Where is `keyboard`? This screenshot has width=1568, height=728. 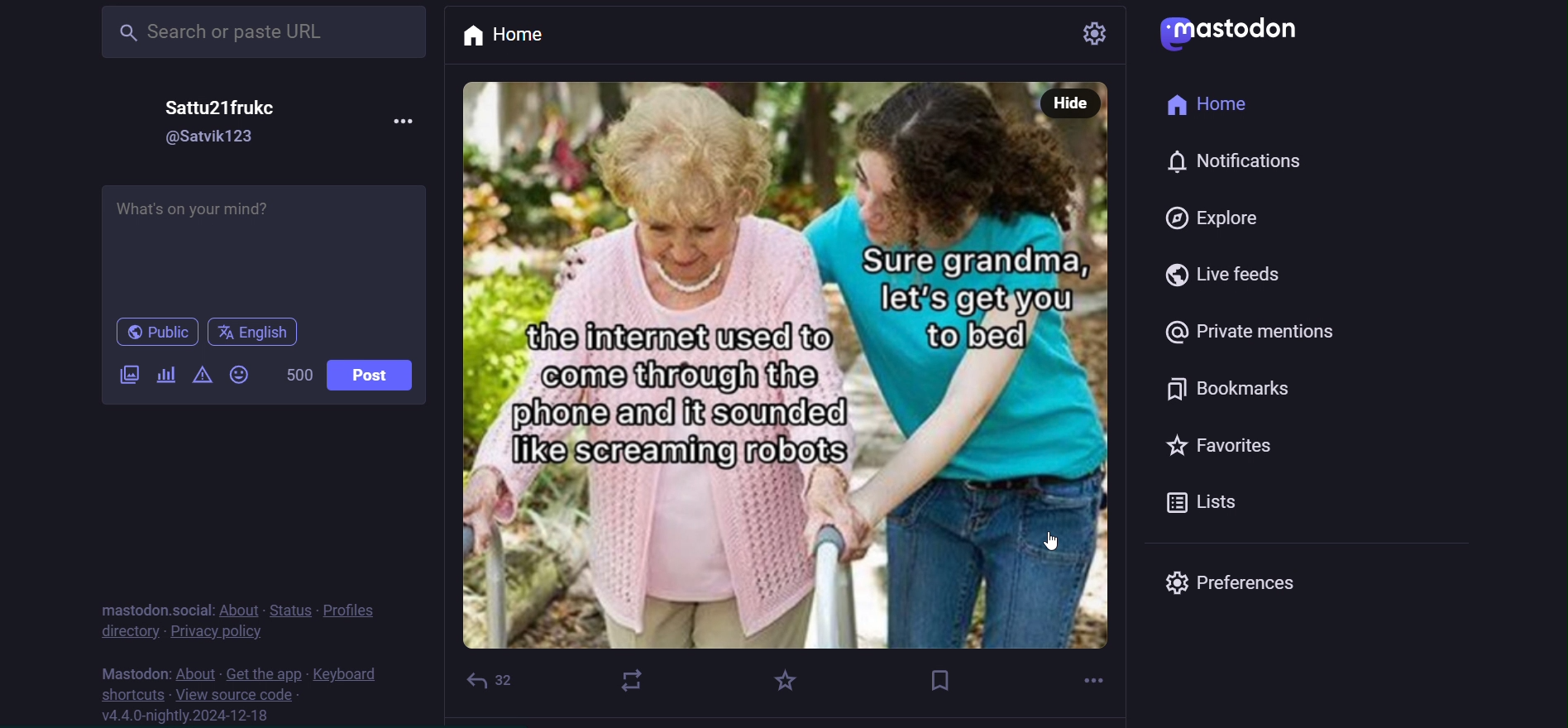
keyboard is located at coordinates (343, 674).